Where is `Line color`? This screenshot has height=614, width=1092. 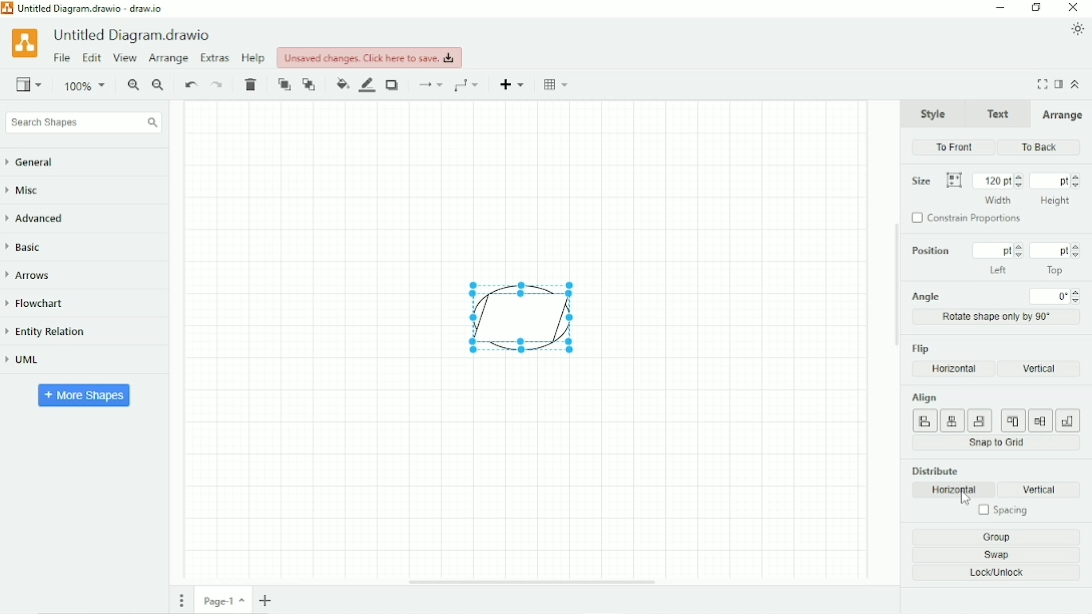 Line color is located at coordinates (368, 85).